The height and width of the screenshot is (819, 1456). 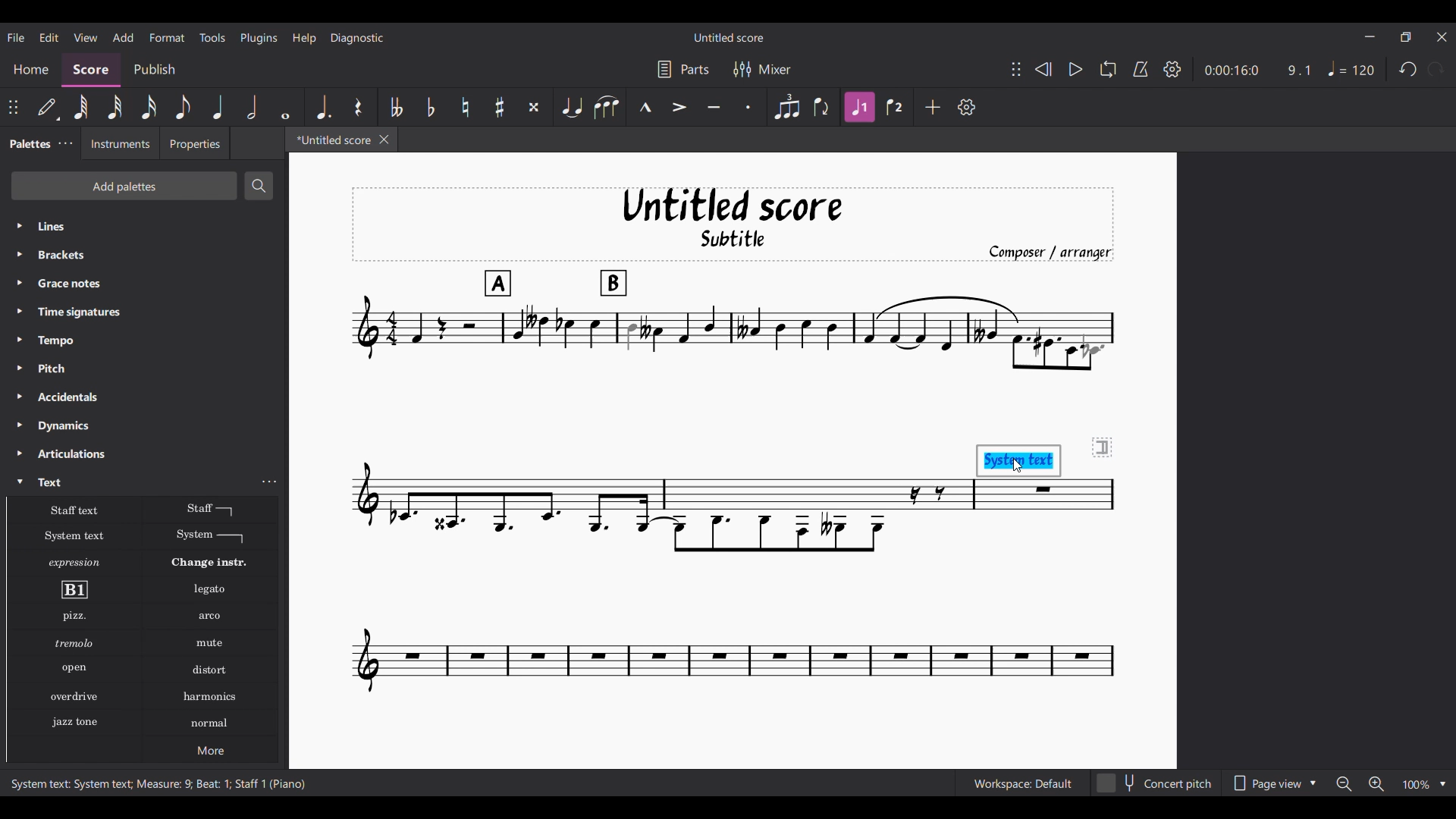 I want to click on System text, so click(x=1018, y=461).